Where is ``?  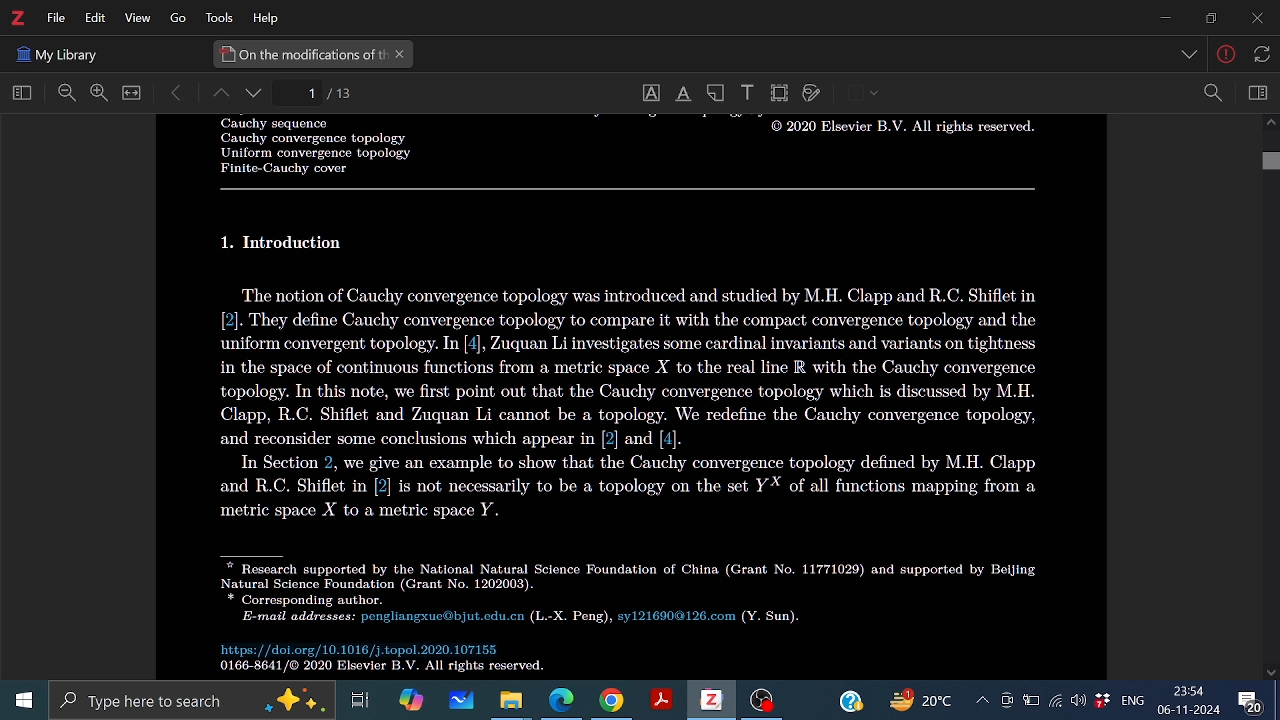  is located at coordinates (629, 189).